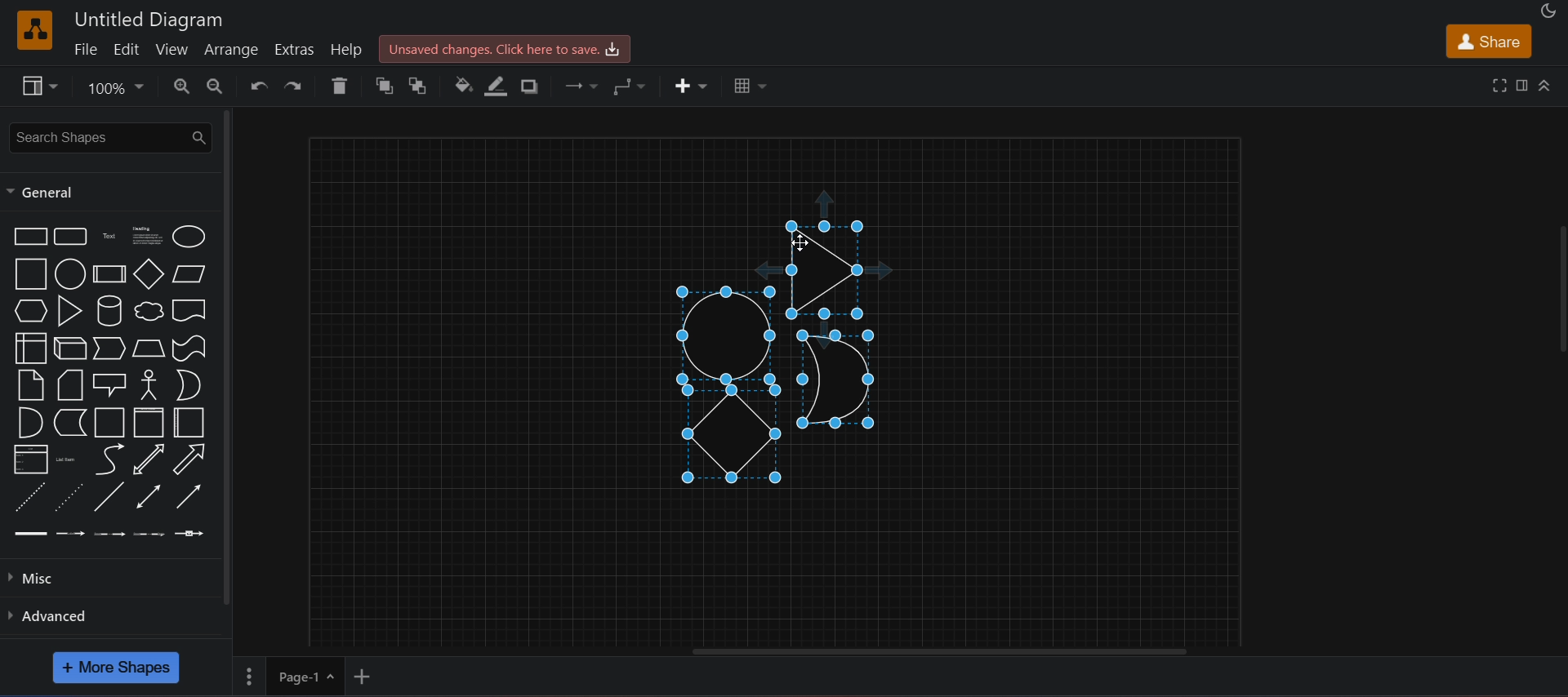 The image size is (1568, 697). Describe the element at coordinates (37, 580) in the screenshot. I see `misc` at that location.